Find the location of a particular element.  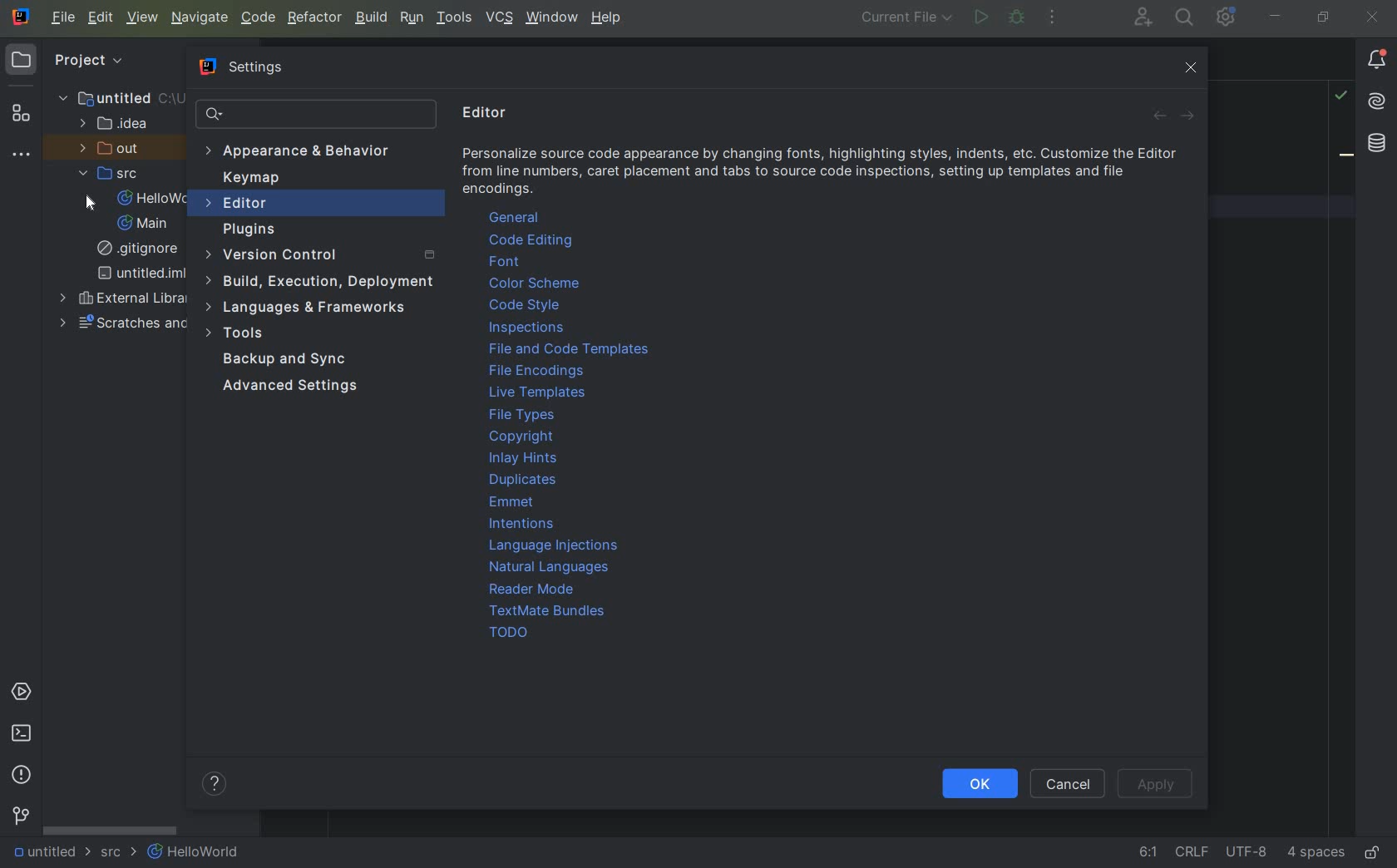

natural languages is located at coordinates (552, 569).